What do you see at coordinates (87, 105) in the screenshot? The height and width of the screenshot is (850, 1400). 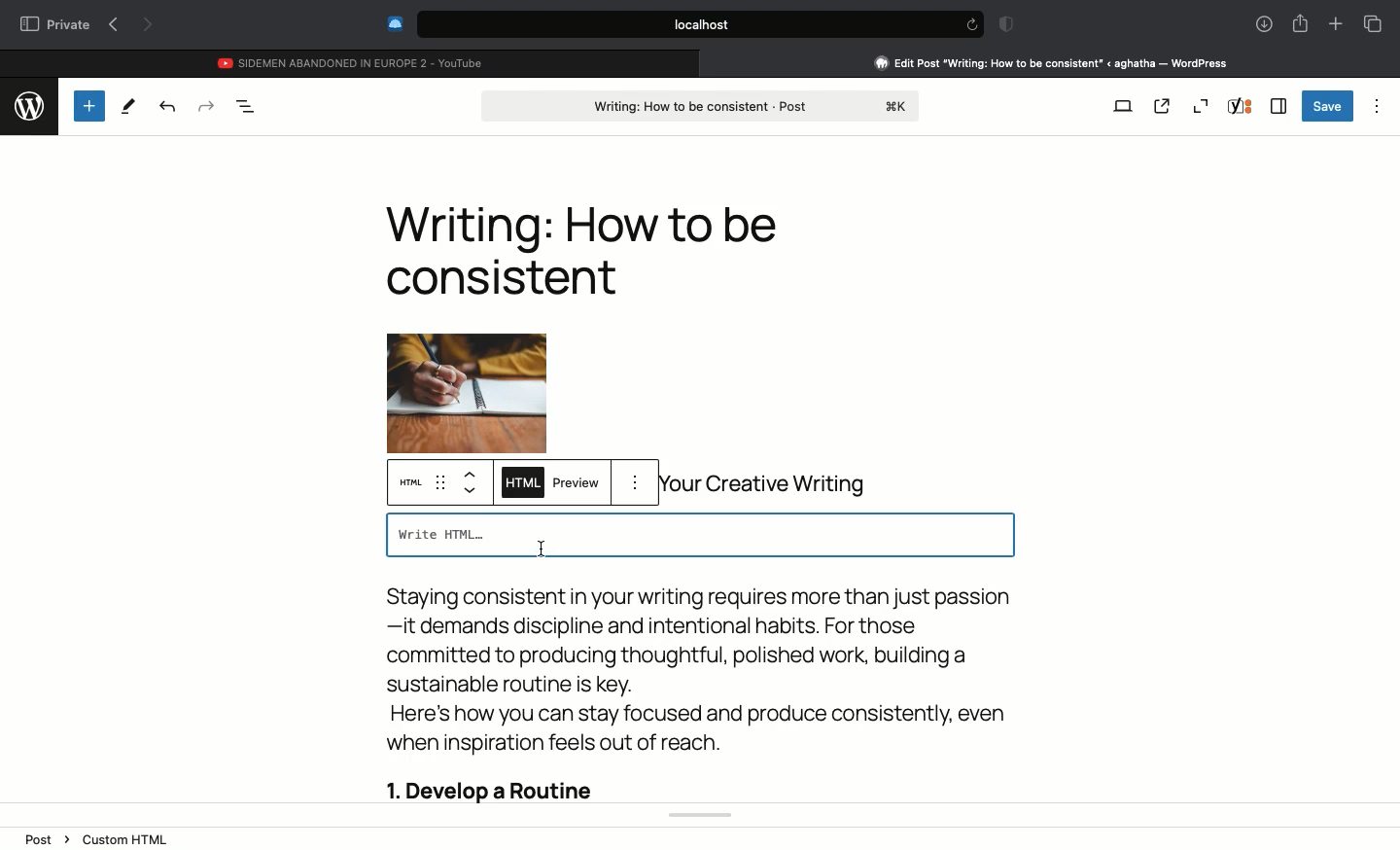 I see `Add new block` at bounding box center [87, 105].